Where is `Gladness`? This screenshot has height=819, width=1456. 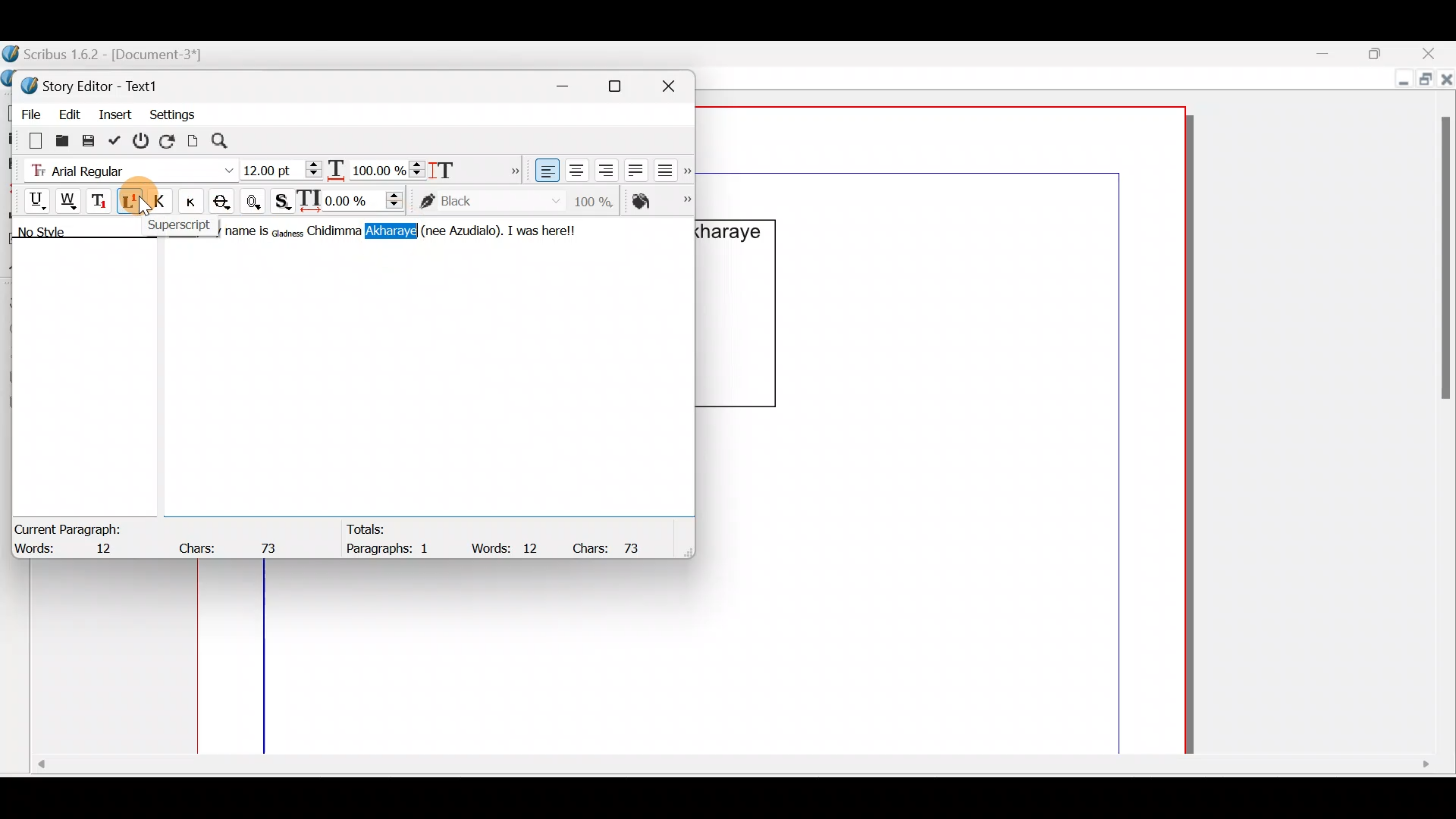
Gladness is located at coordinates (288, 231).